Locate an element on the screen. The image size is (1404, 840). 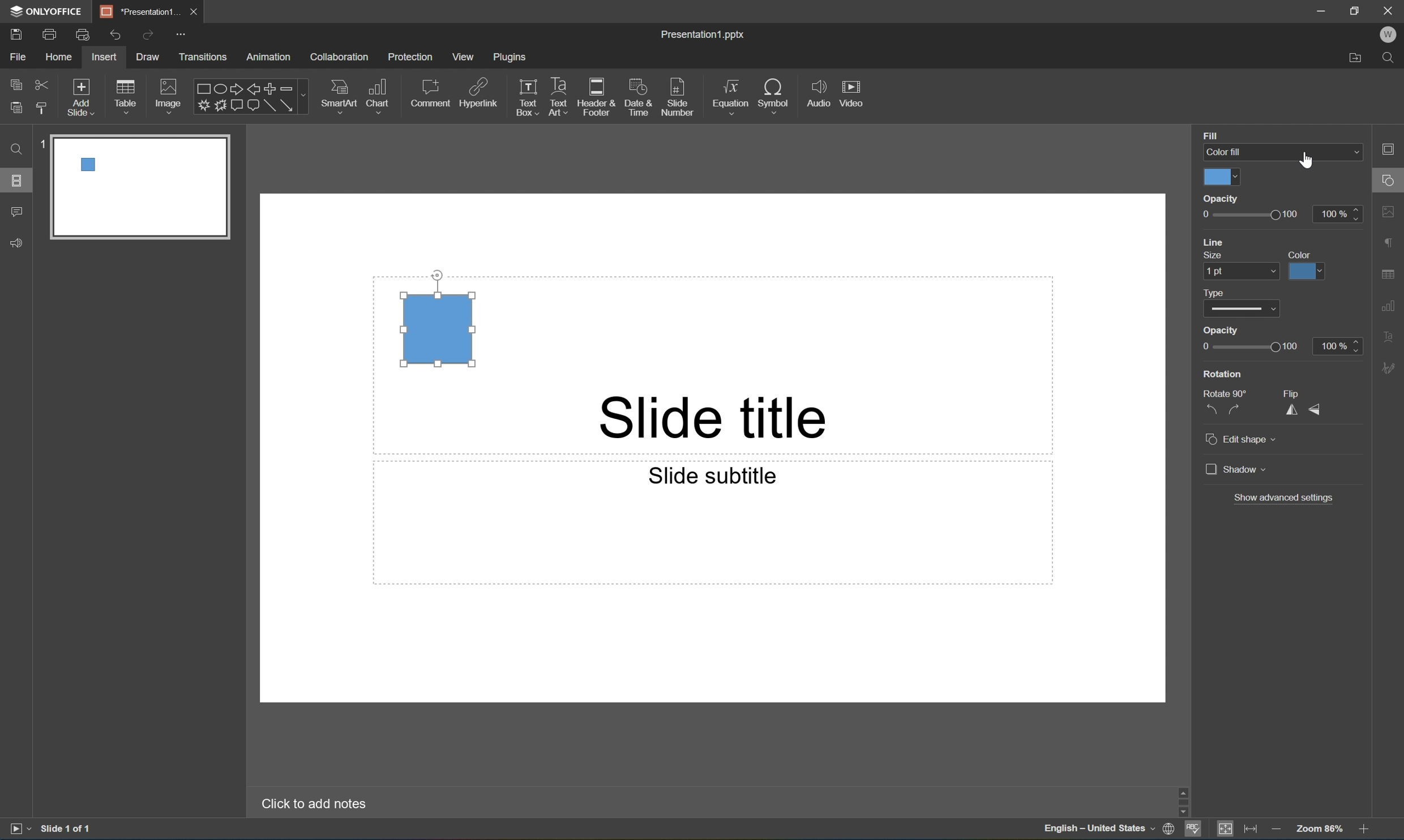
 is located at coordinates (202, 106).